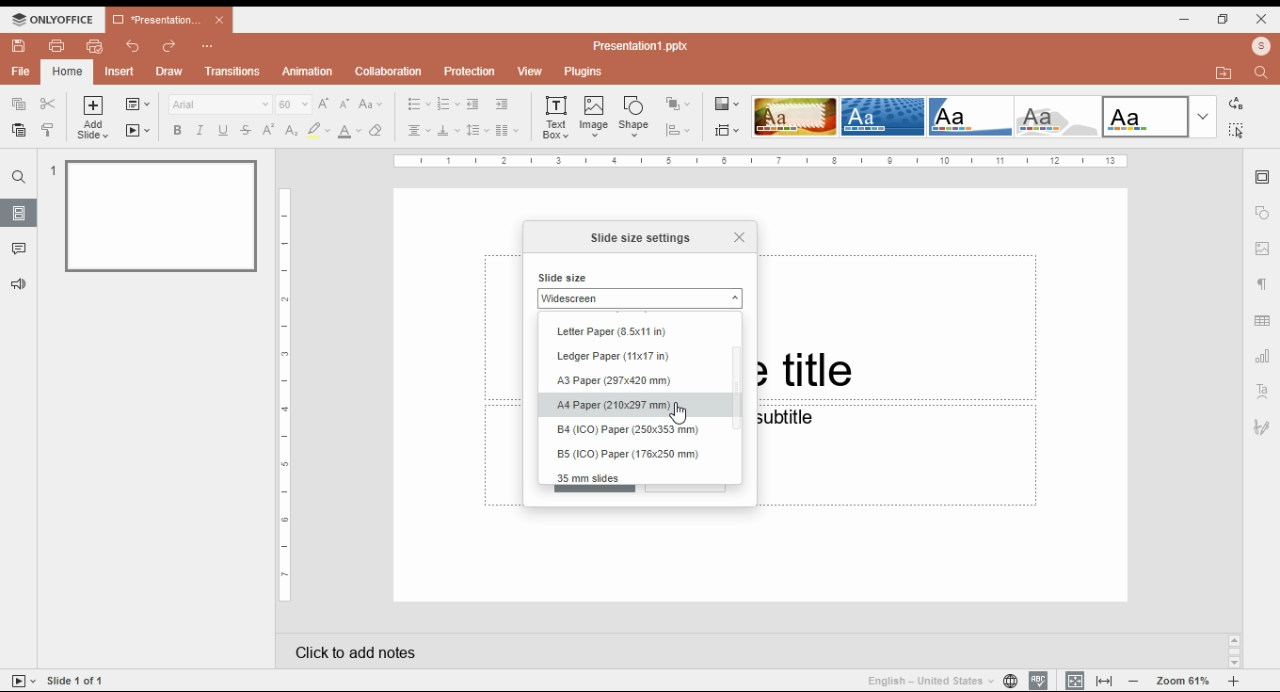 This screenshot has width=1280, height=692. I want to click on italics, so click(198, 130).